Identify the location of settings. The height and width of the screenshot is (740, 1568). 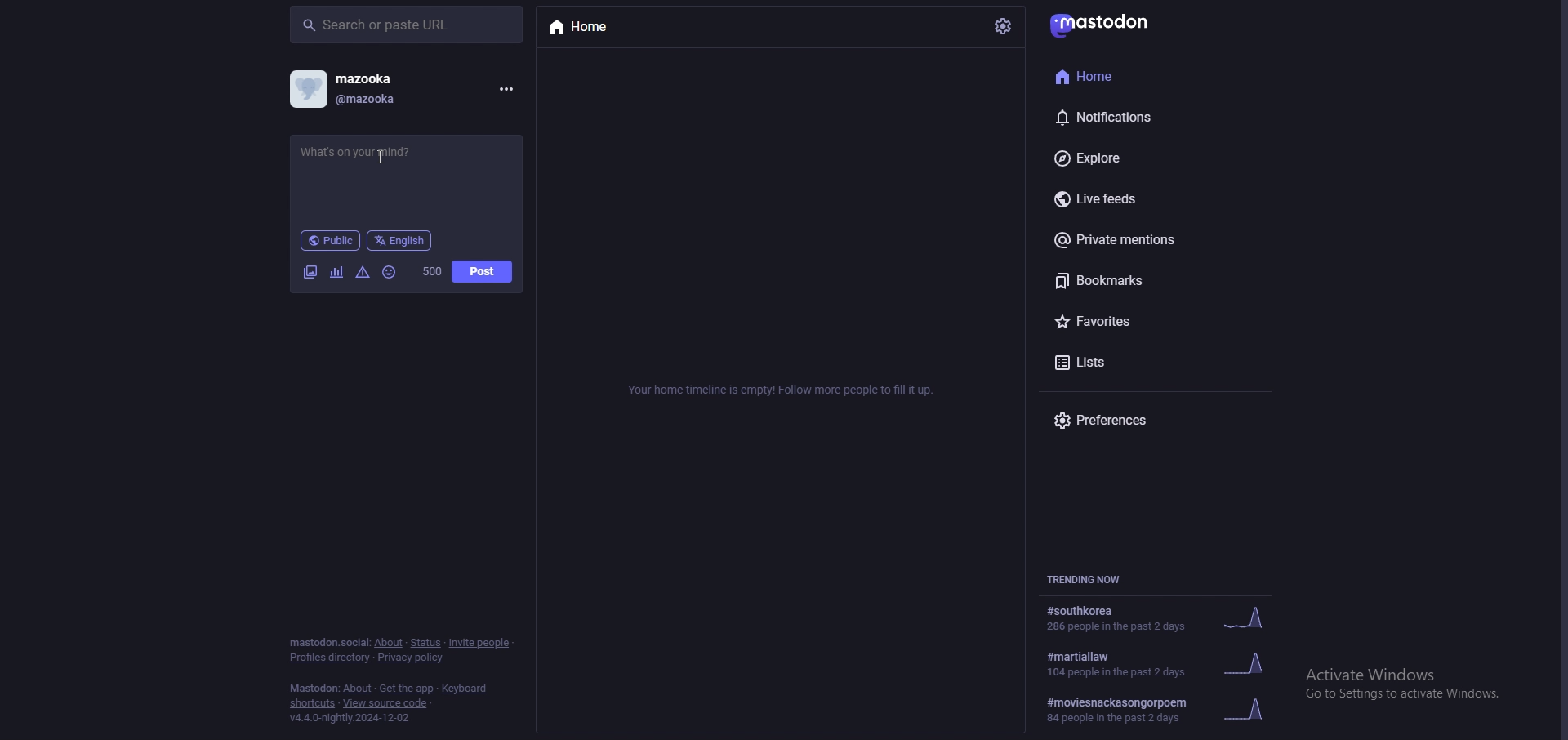
(1004, 25).